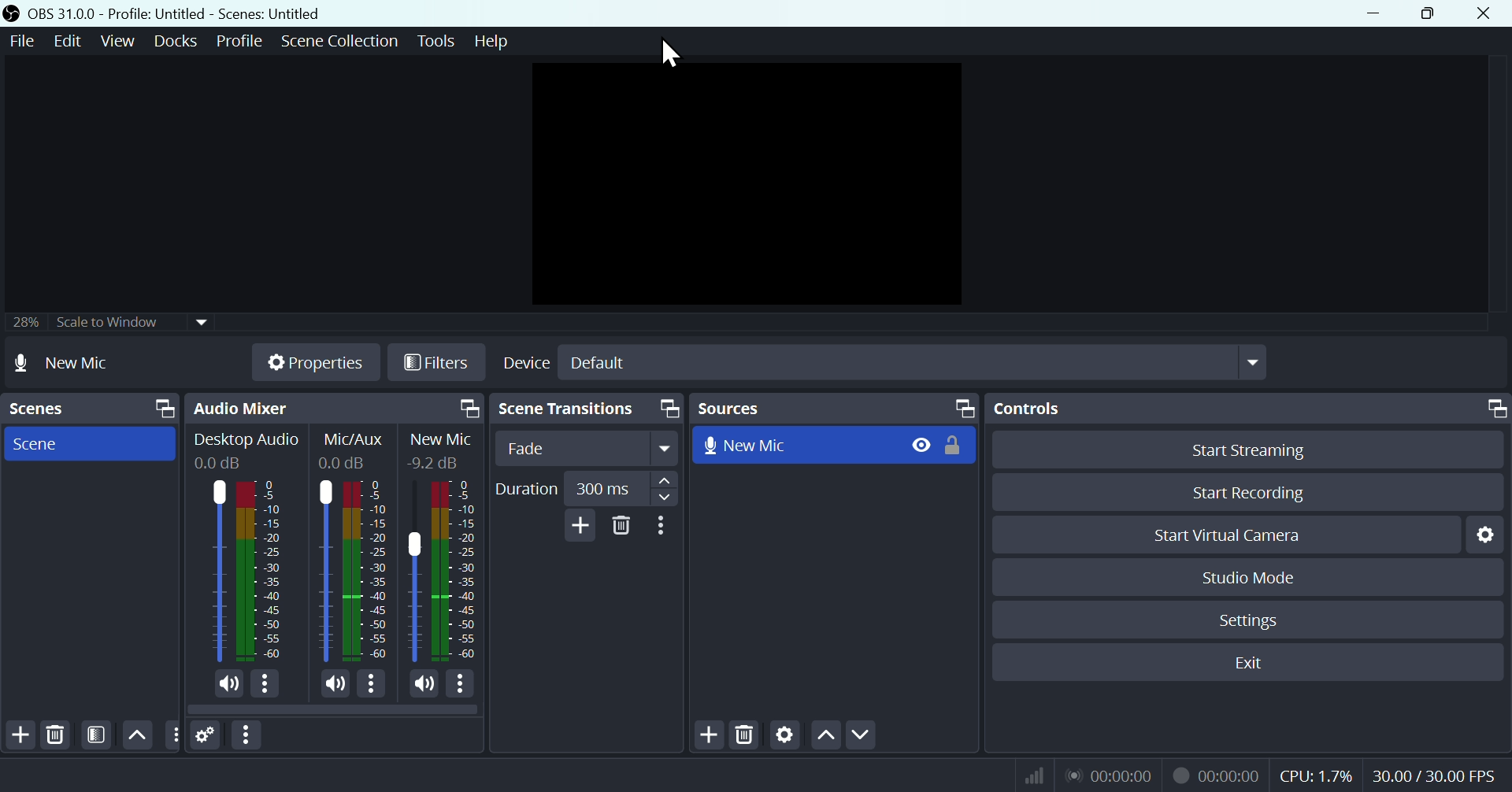  I want to click on Scene collection, so click(343, 43).